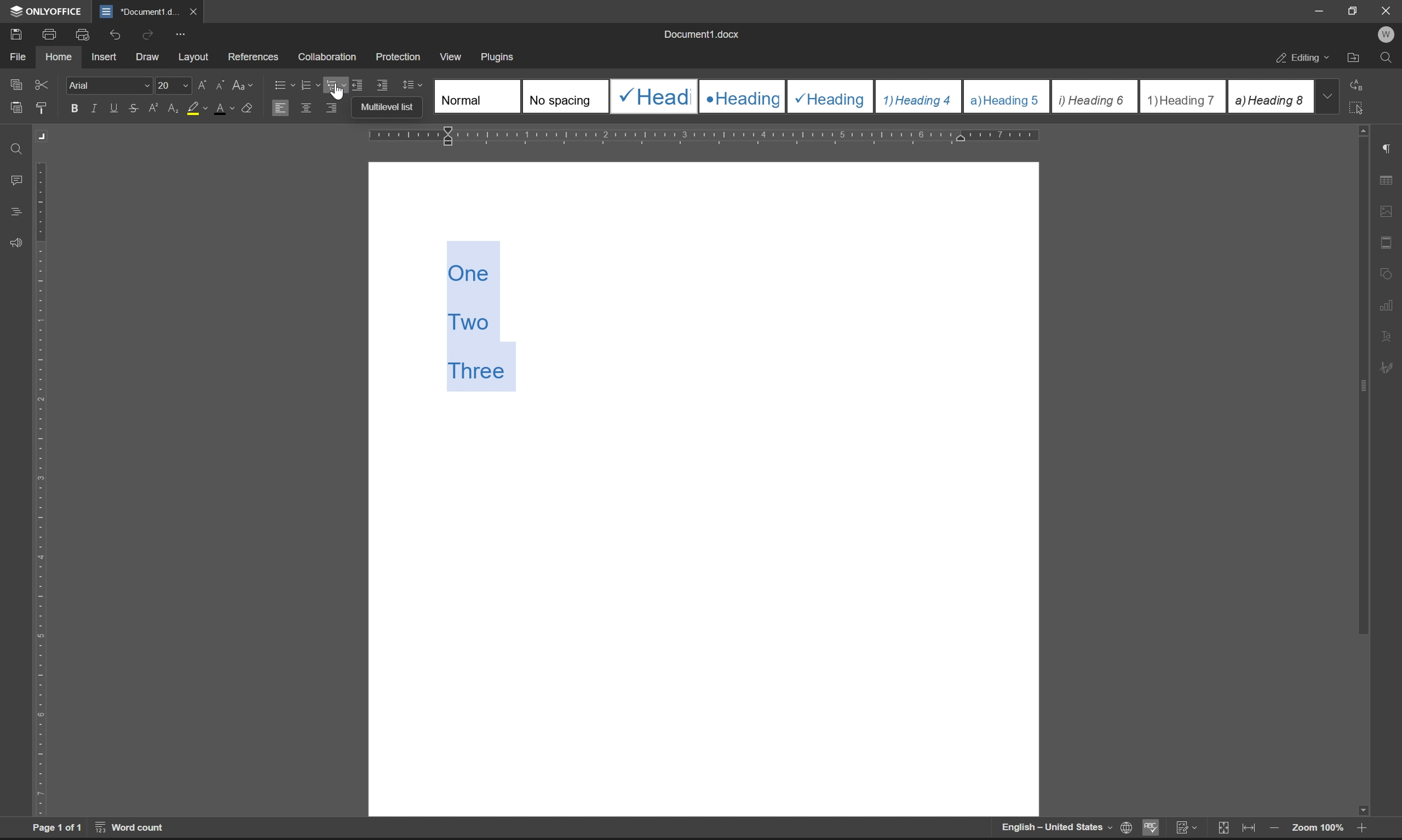  Describe the element at coordinates (484, 316) in the screenshot. I see `One Two Three` at that location.